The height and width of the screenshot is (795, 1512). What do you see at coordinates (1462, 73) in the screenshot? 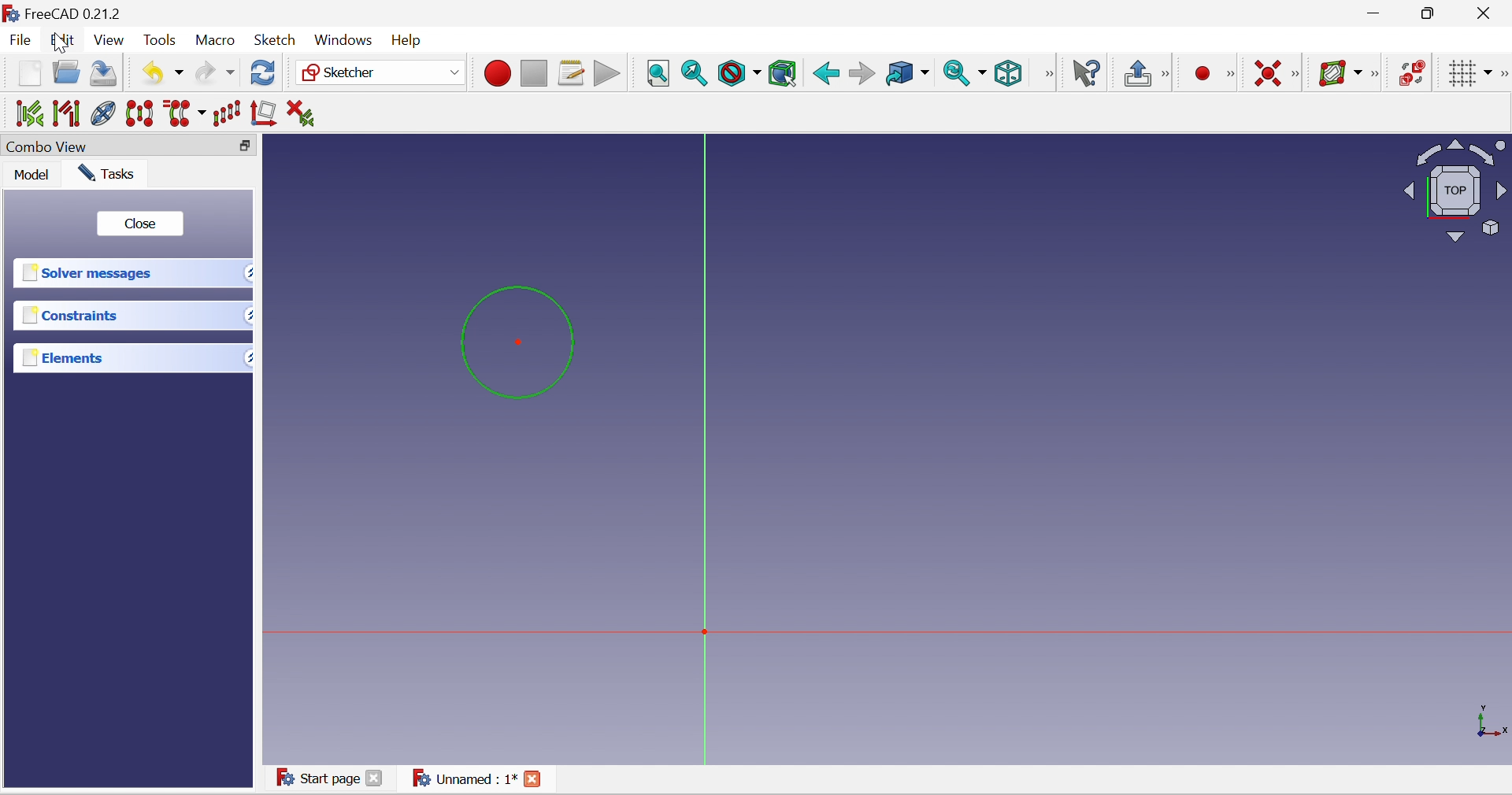
I see `Toggle grid` at bounding box center [1462, 73].